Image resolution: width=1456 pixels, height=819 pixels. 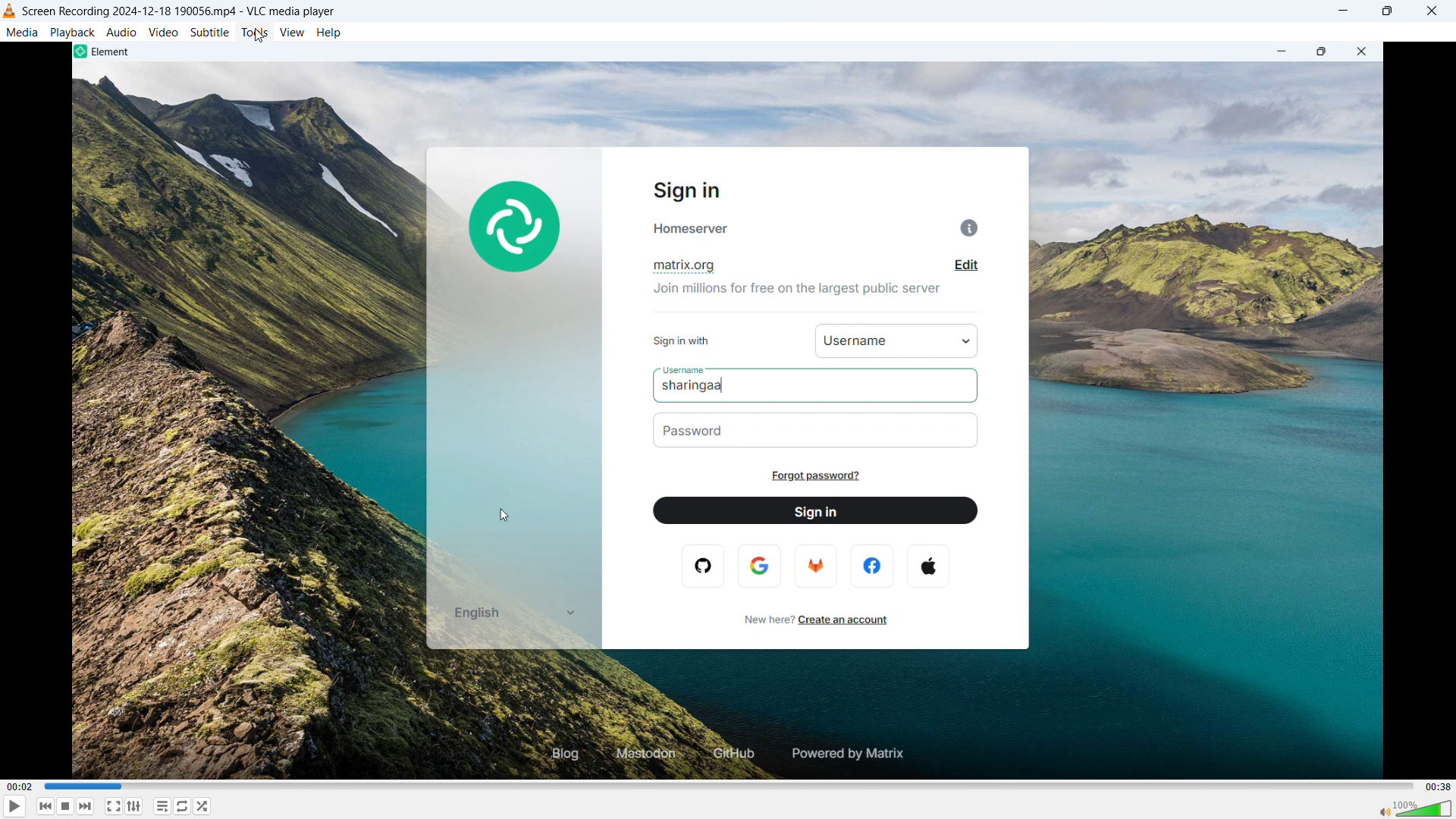 I want to click on help, so click(x=331, y=32).